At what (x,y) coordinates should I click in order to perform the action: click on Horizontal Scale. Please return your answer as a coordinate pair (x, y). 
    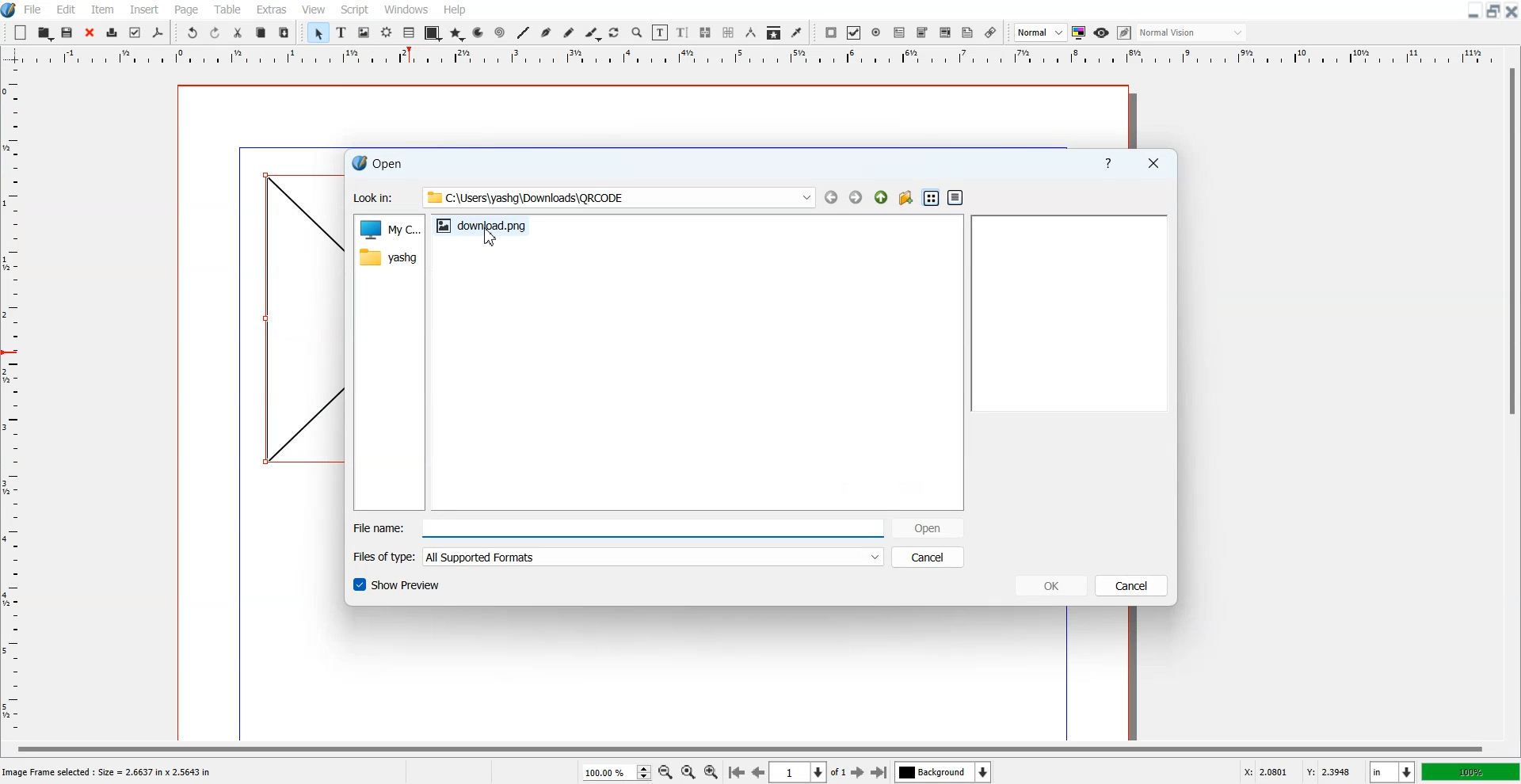
    Looking at the image, I should click on (15, 403).